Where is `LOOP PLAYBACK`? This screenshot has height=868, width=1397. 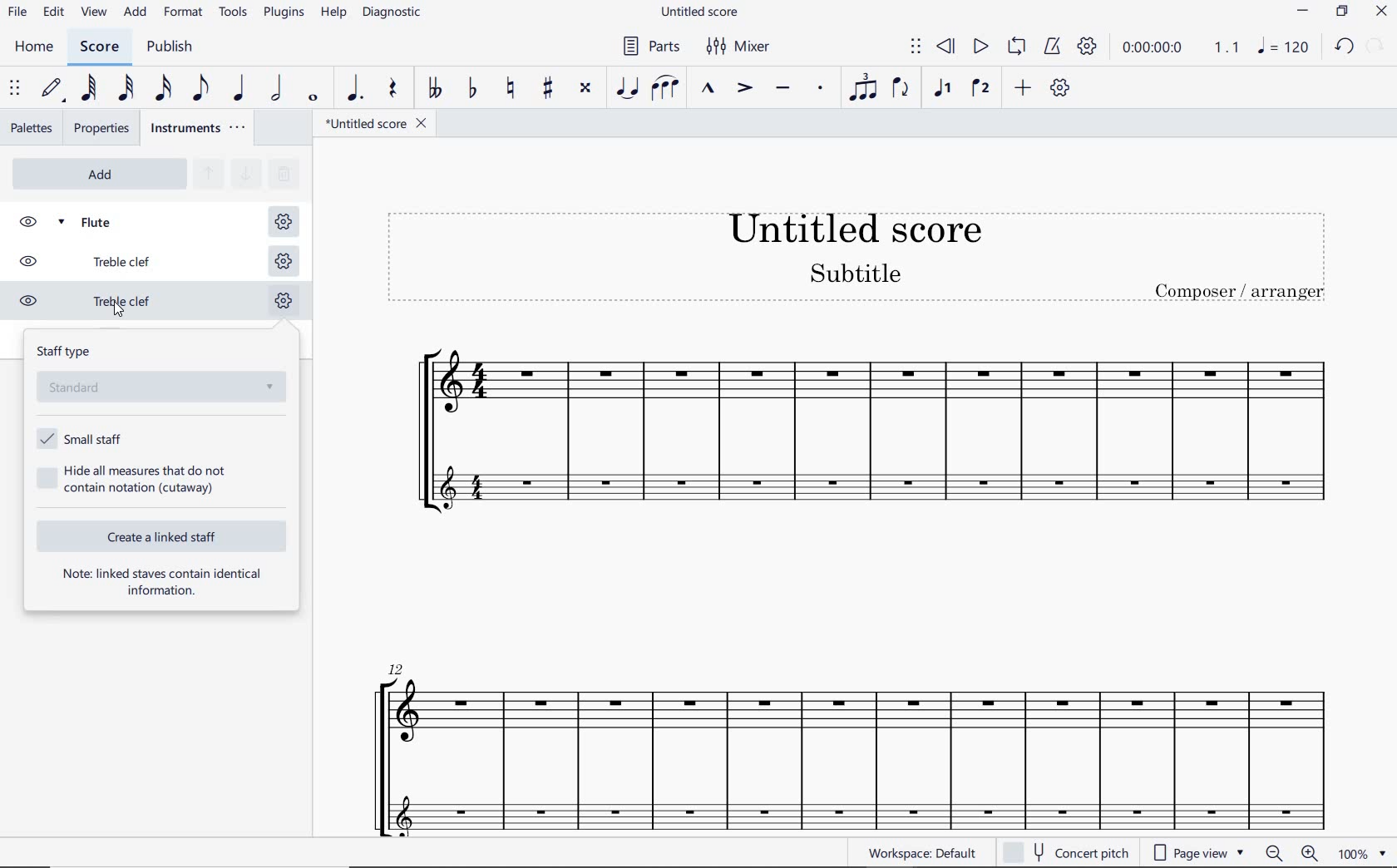 LOOP PLAYBACK is located at coordinates (1015, 50).